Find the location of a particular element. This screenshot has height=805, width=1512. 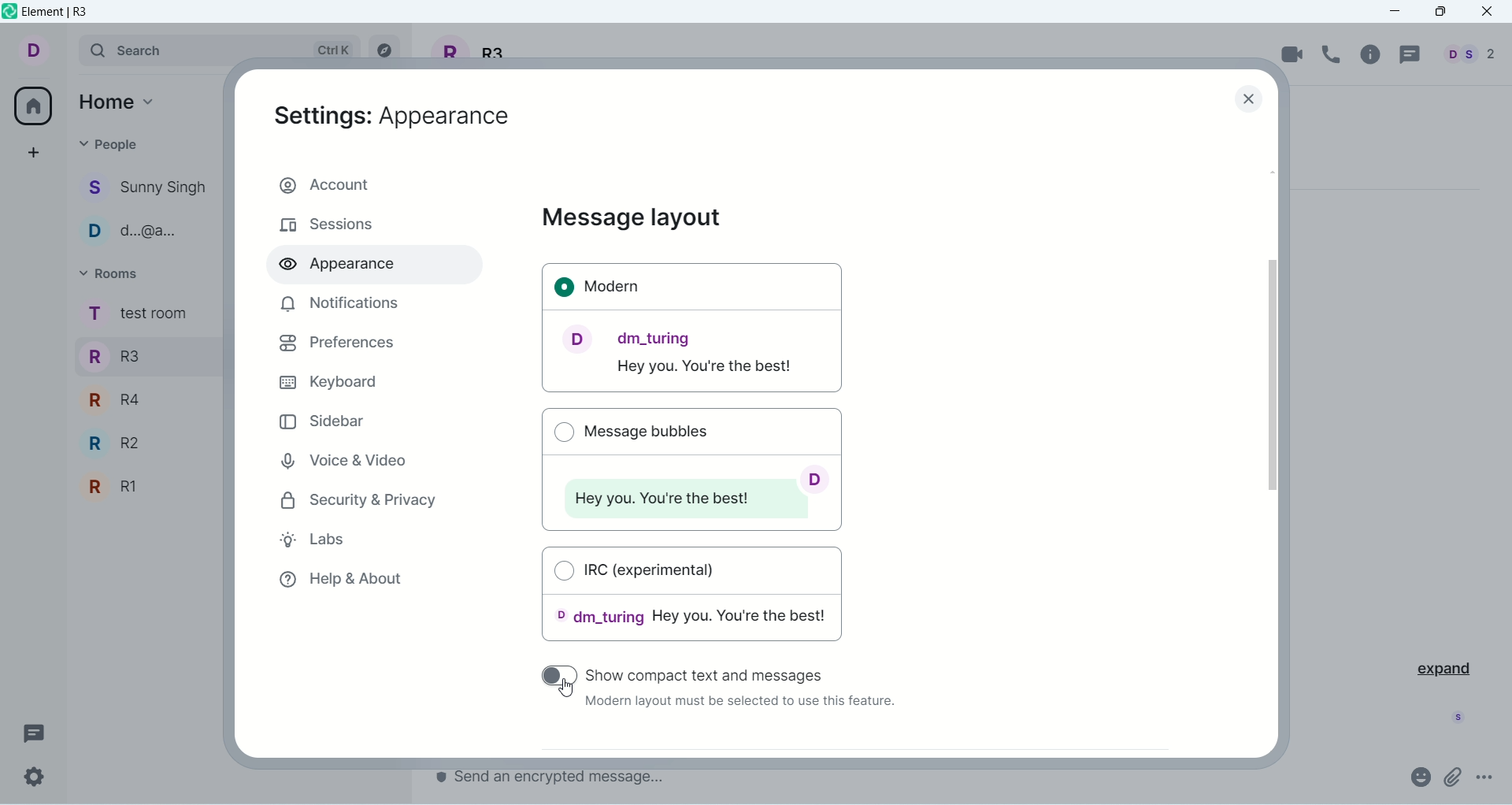

cursor is located at coordinates (564, 692).